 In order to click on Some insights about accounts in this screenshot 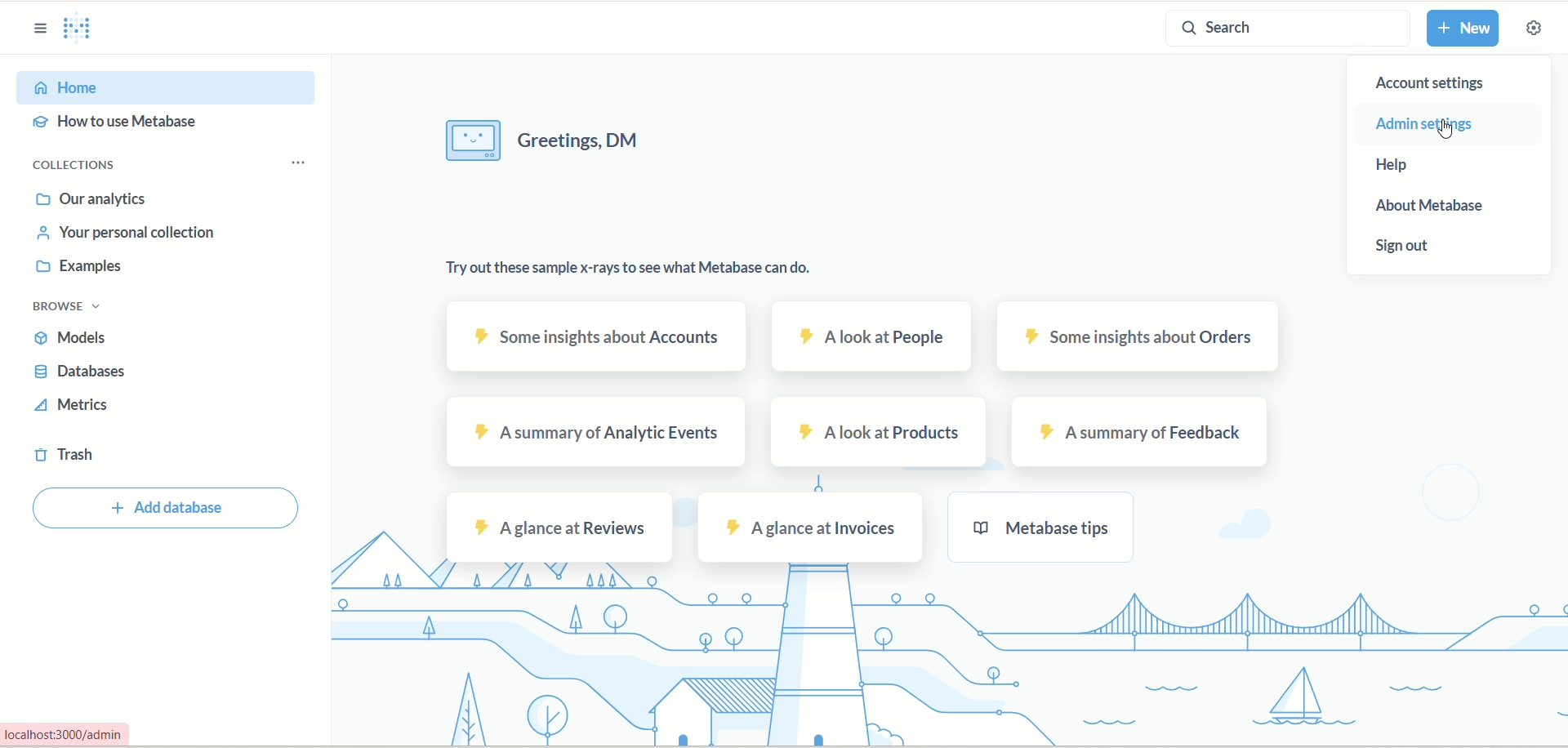, I will do `click(595, 336)`.